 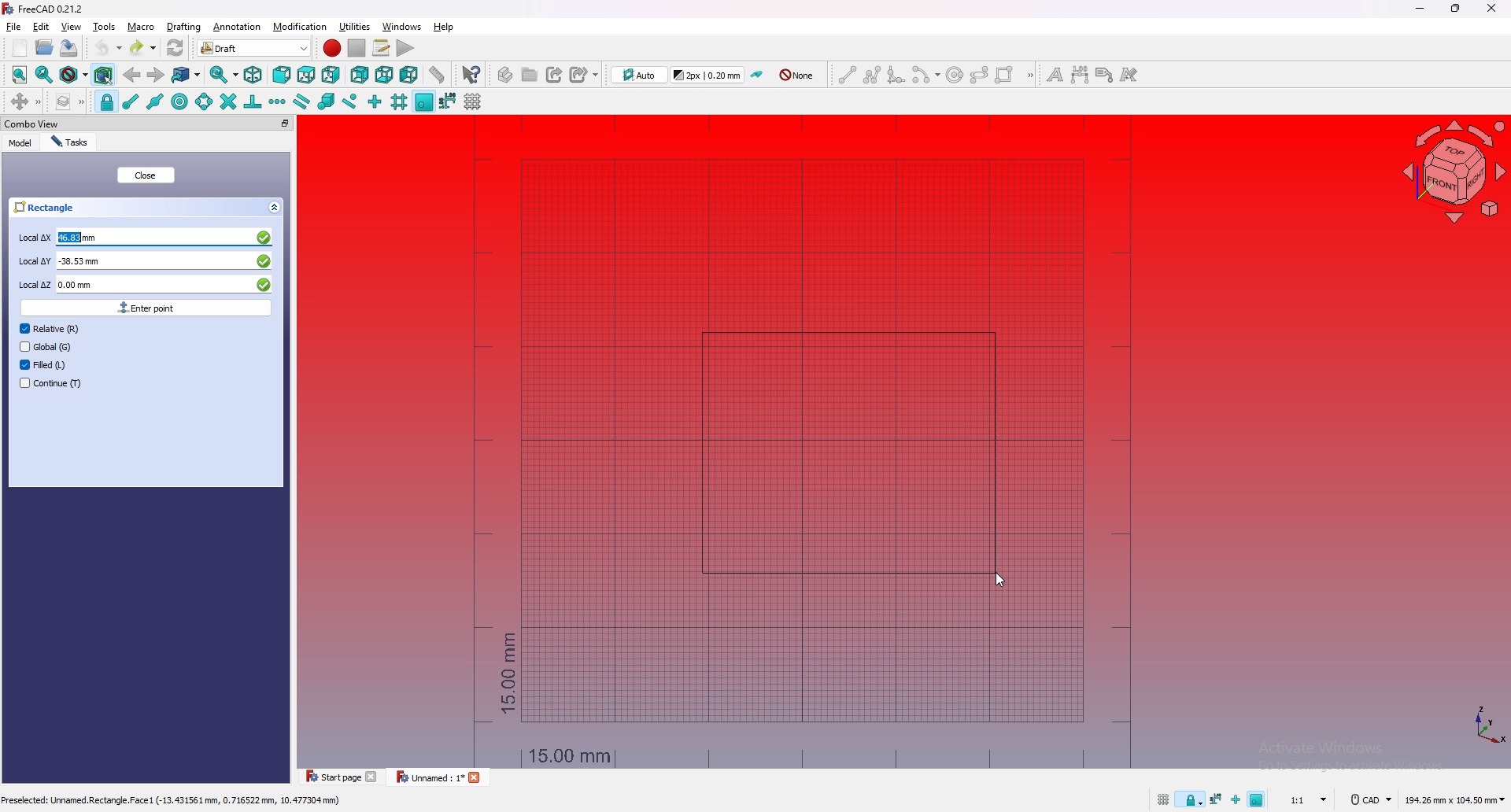 What do you see at coordinates (1191, 800) in the screenshot?
I see `snap lock` at bounding box center [1191, 800].